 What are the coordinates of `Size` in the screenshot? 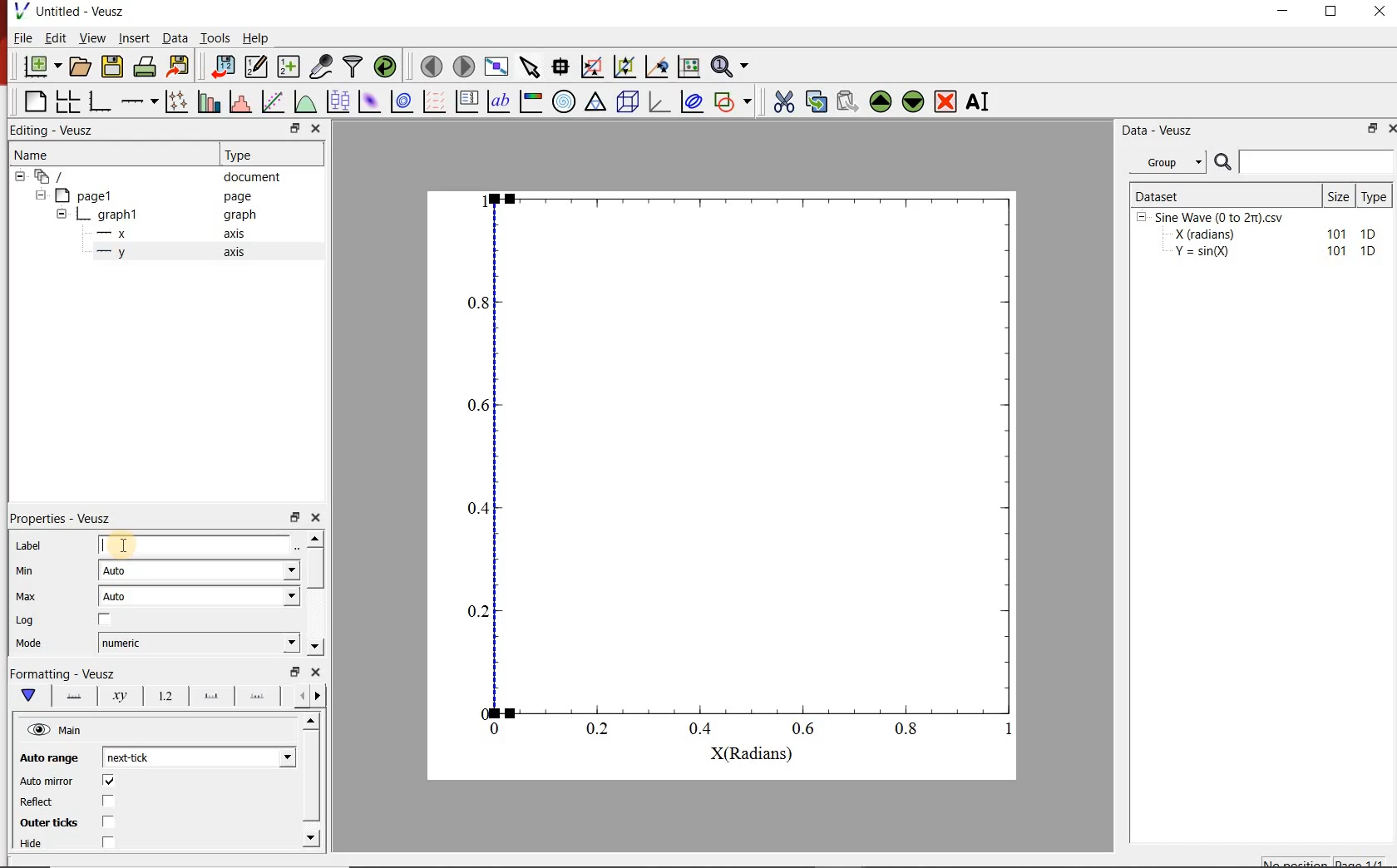 It's located at (1340, 195).